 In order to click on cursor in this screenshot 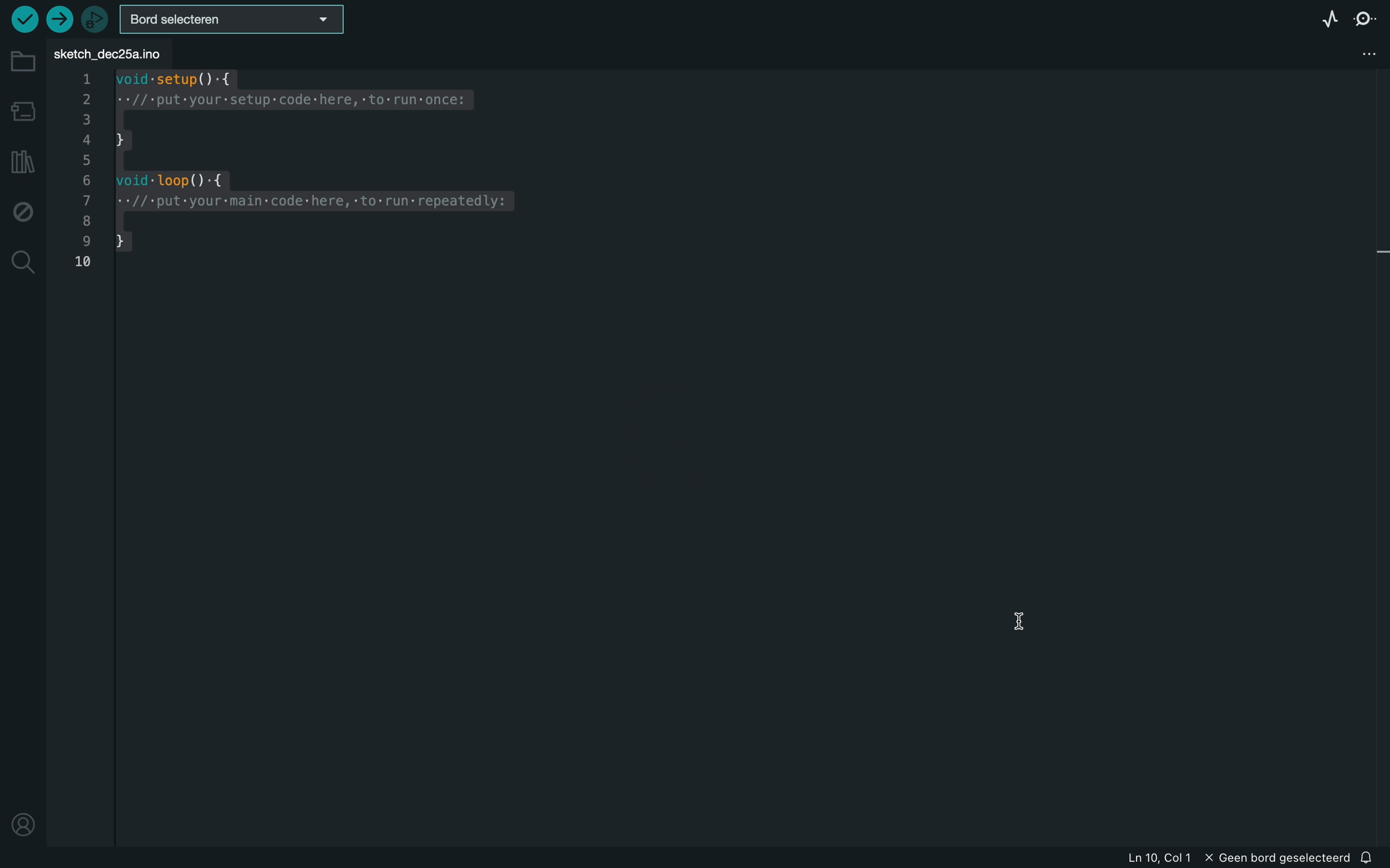, I will do `click(1035, 622)`.